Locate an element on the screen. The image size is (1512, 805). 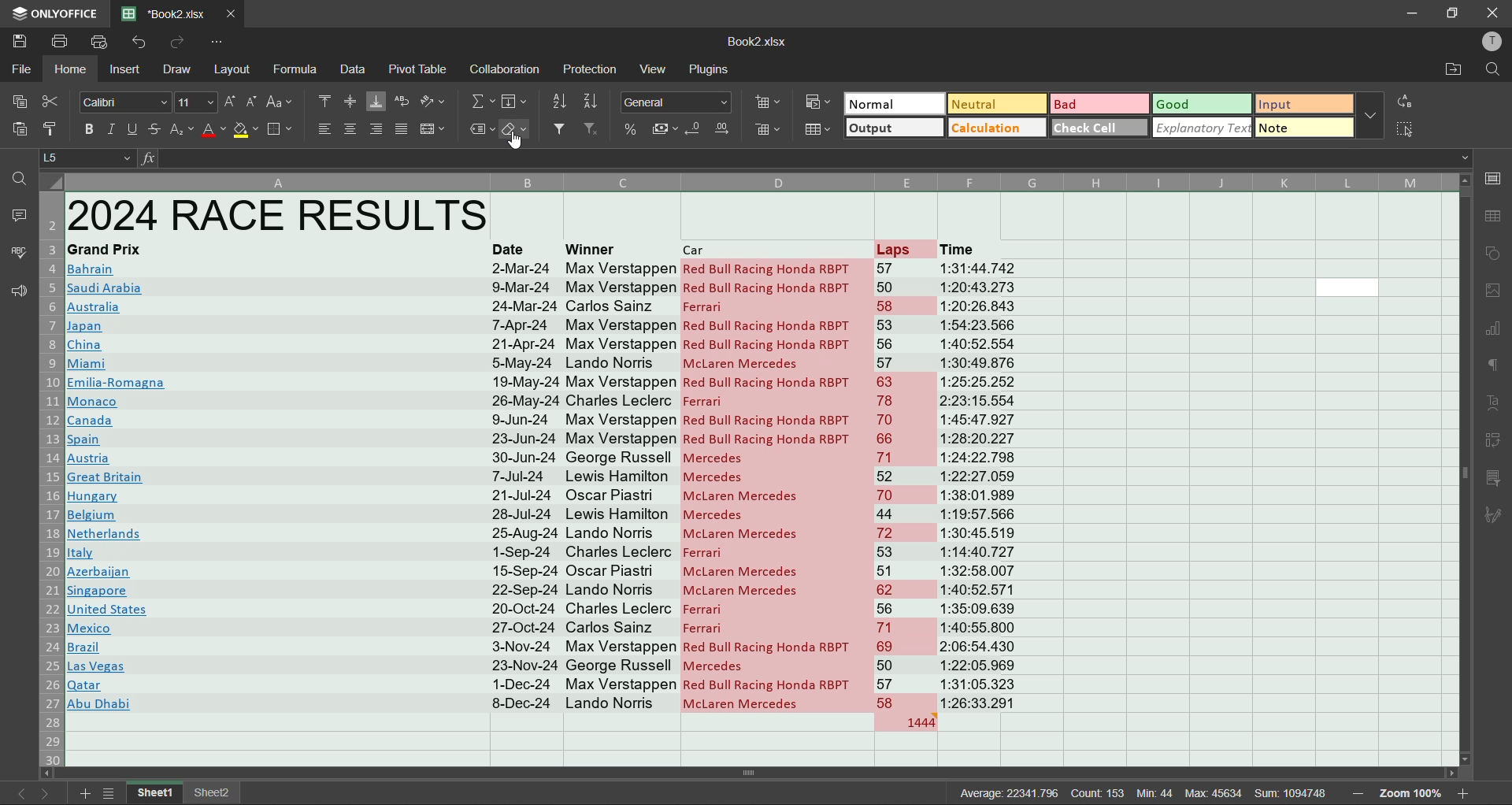
paste is located at coordinates (19, 127).